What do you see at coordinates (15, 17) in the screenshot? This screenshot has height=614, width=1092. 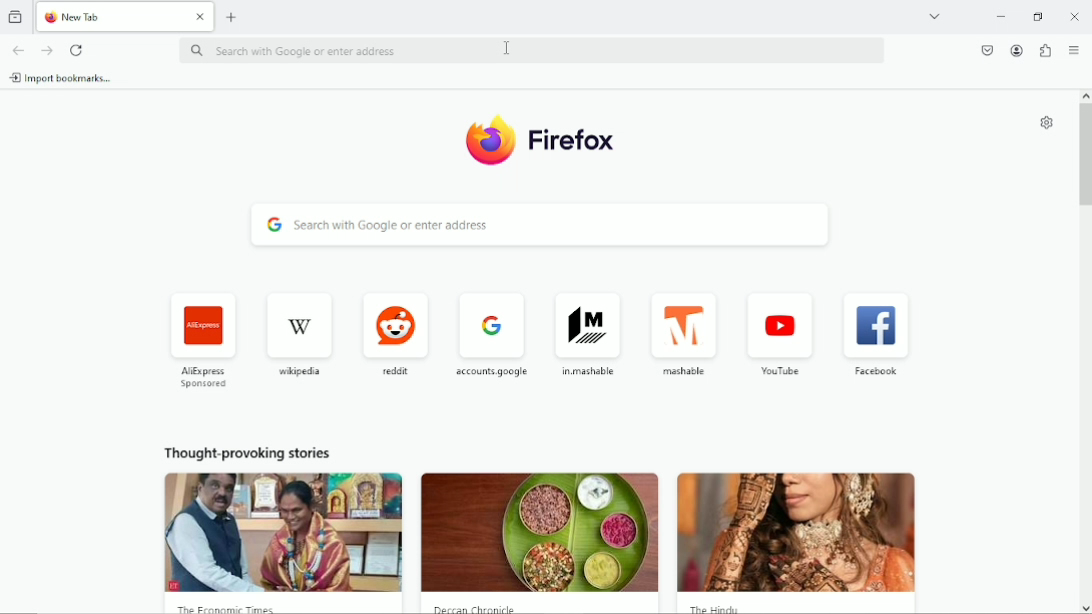 I see `view recent browsing` at bounding box center [15, 17].